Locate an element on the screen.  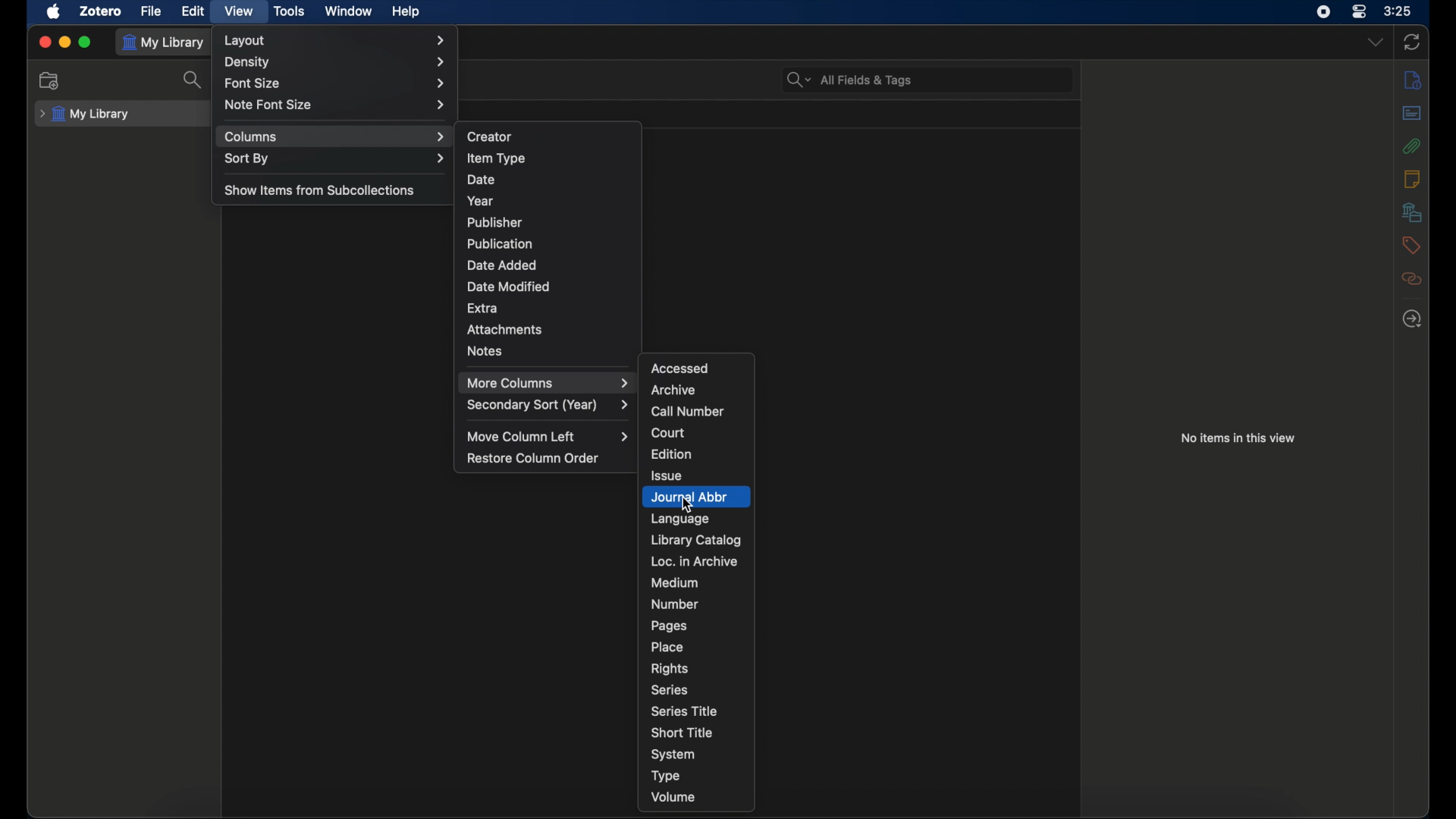
date is located at coordinates (481, 179).